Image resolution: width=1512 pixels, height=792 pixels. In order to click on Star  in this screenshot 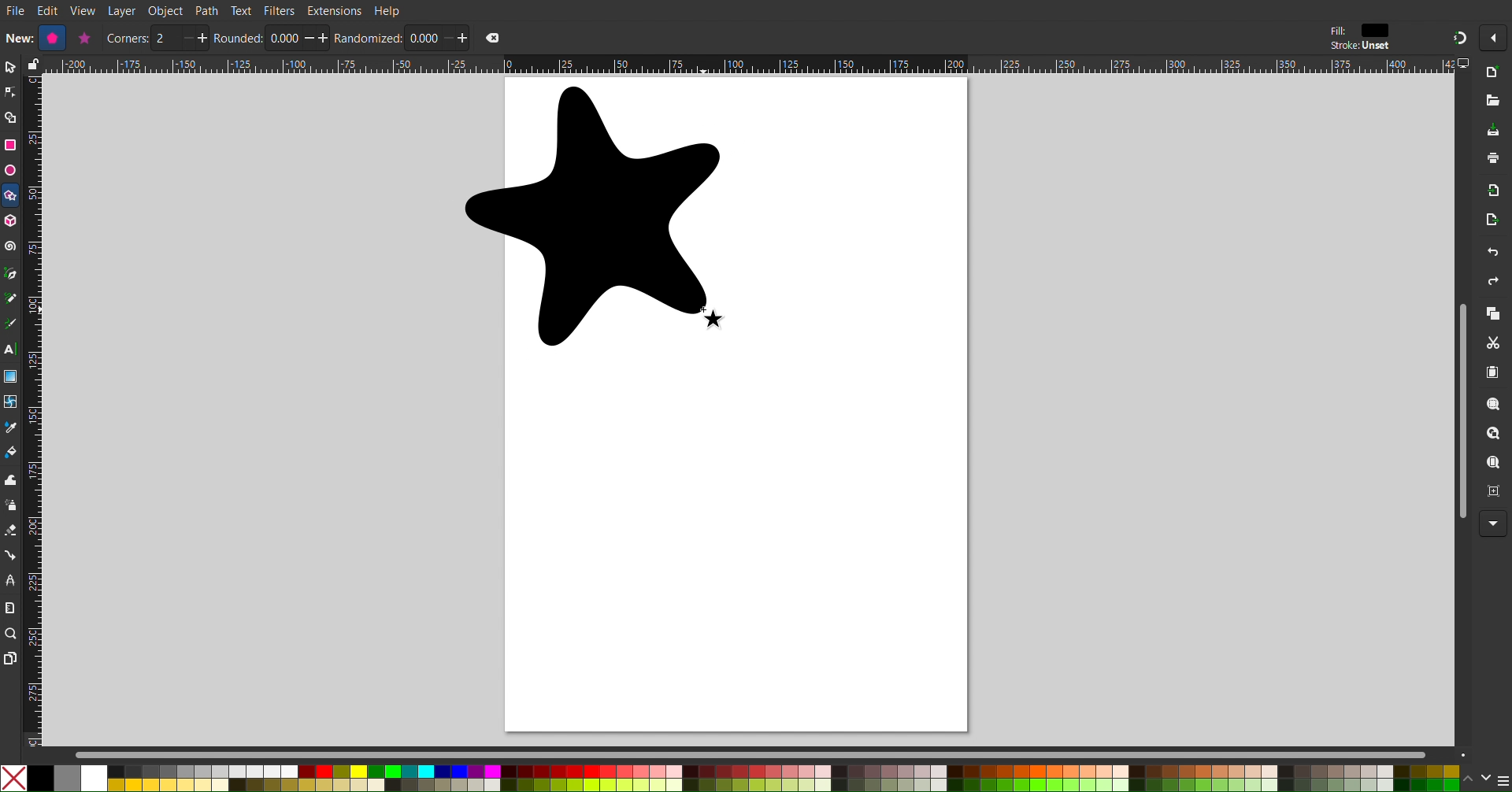, I will do `click(594, 217)`.